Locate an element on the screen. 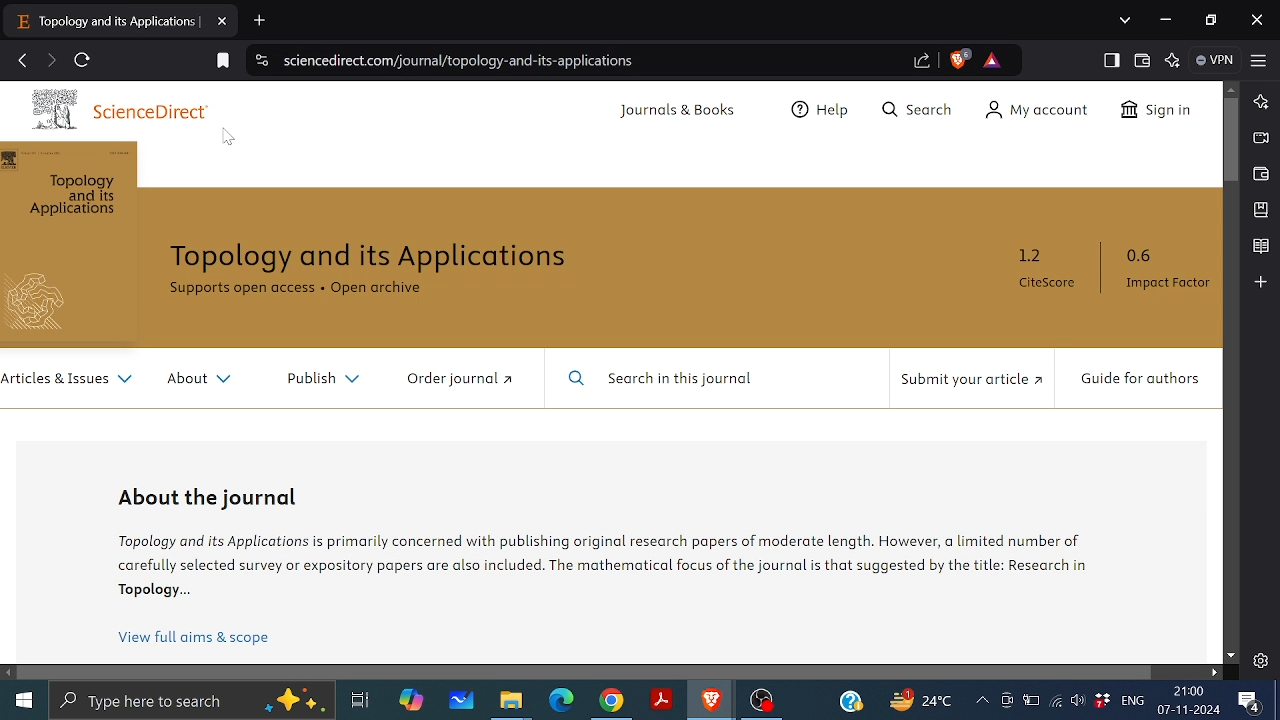 Image resolution: width=1280 pixels, height=720 pixels. Topology and its Applications is located at coordinates (78, 196).